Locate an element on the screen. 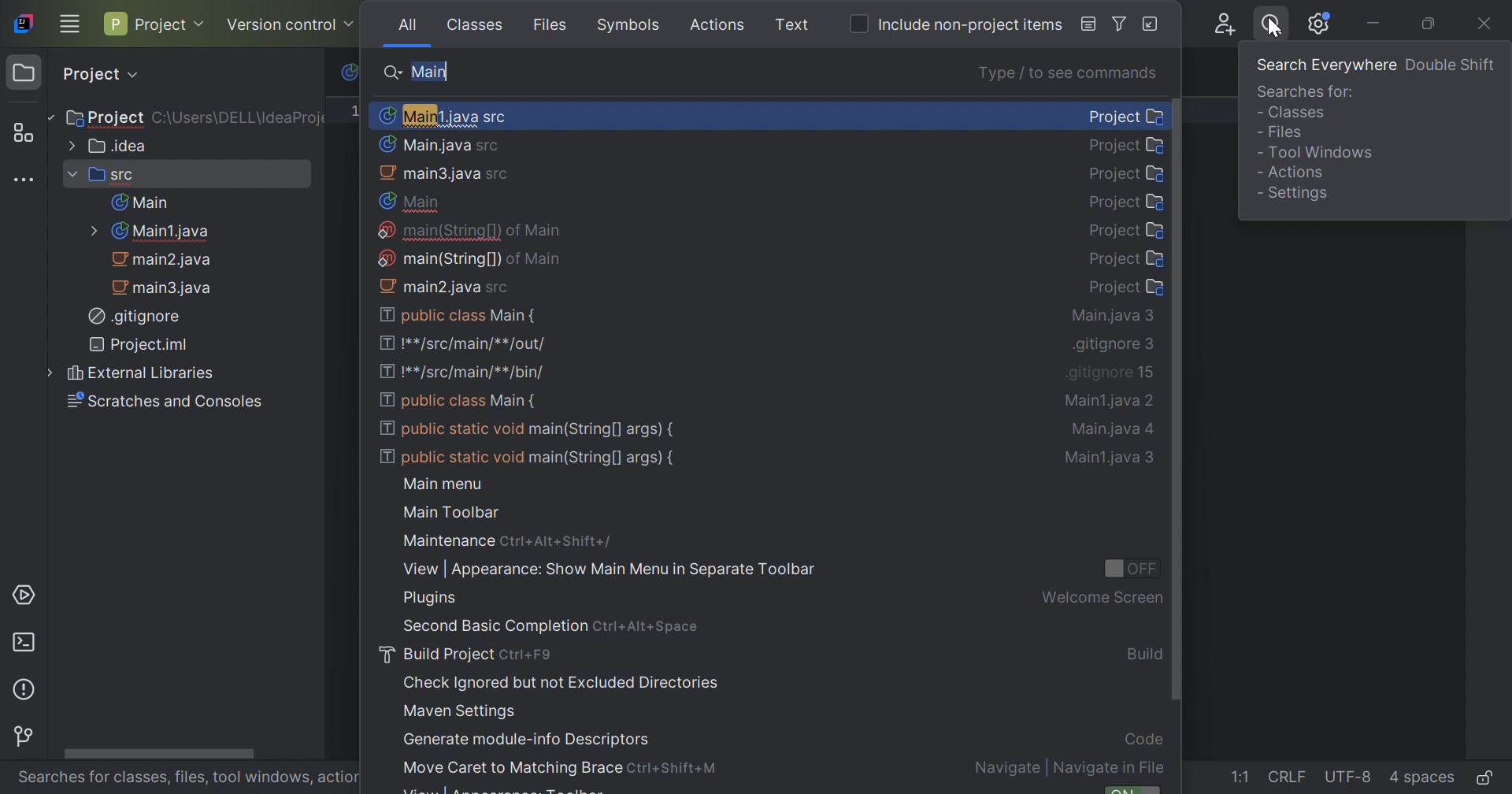  - Actions is located at coordinates (1290, 172).